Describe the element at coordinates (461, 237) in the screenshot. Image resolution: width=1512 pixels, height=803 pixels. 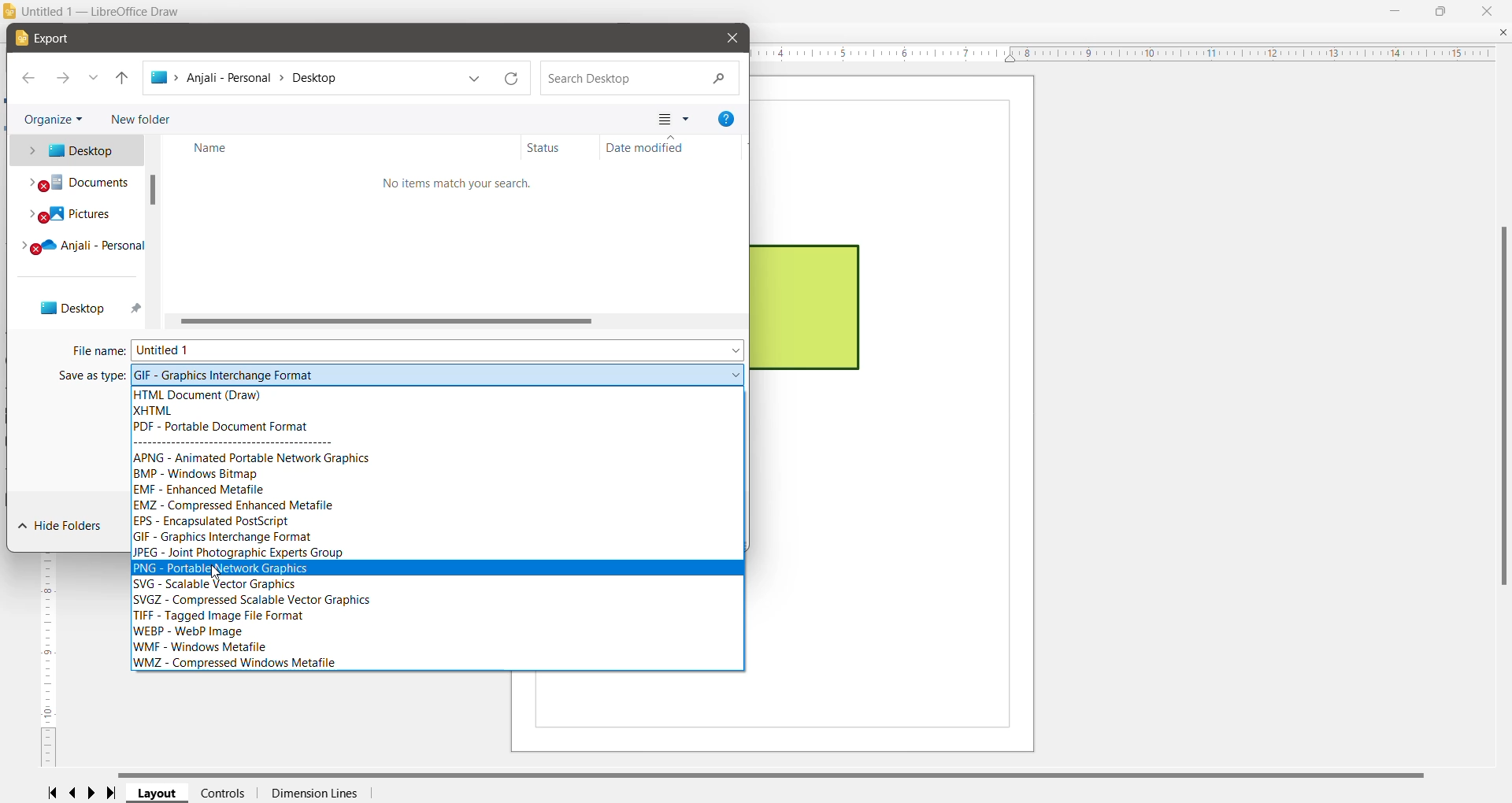
I see `Contents view in the selected location` at that location.